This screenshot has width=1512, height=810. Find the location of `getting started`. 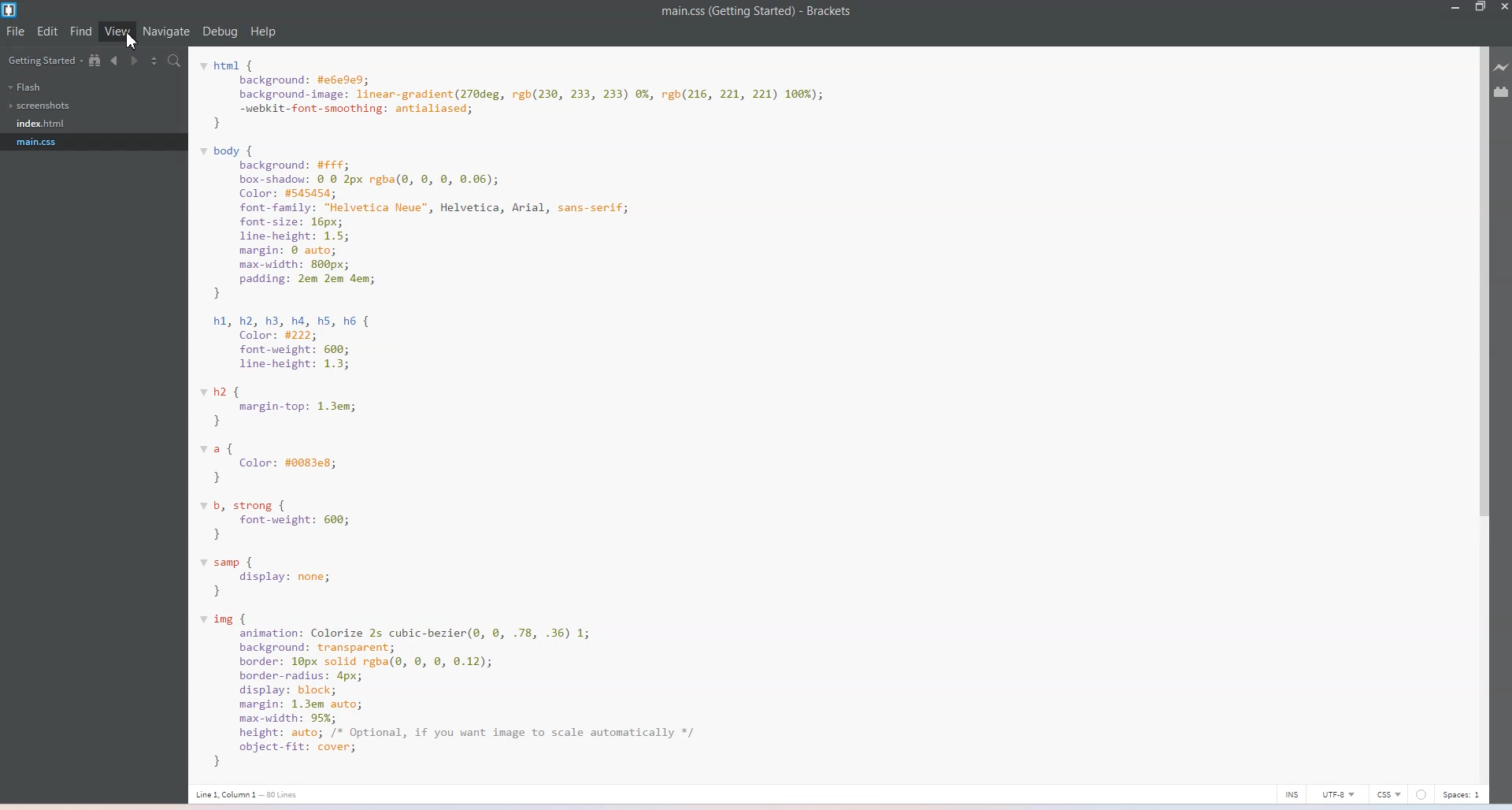

getting started is located at coordinates (43, 61).